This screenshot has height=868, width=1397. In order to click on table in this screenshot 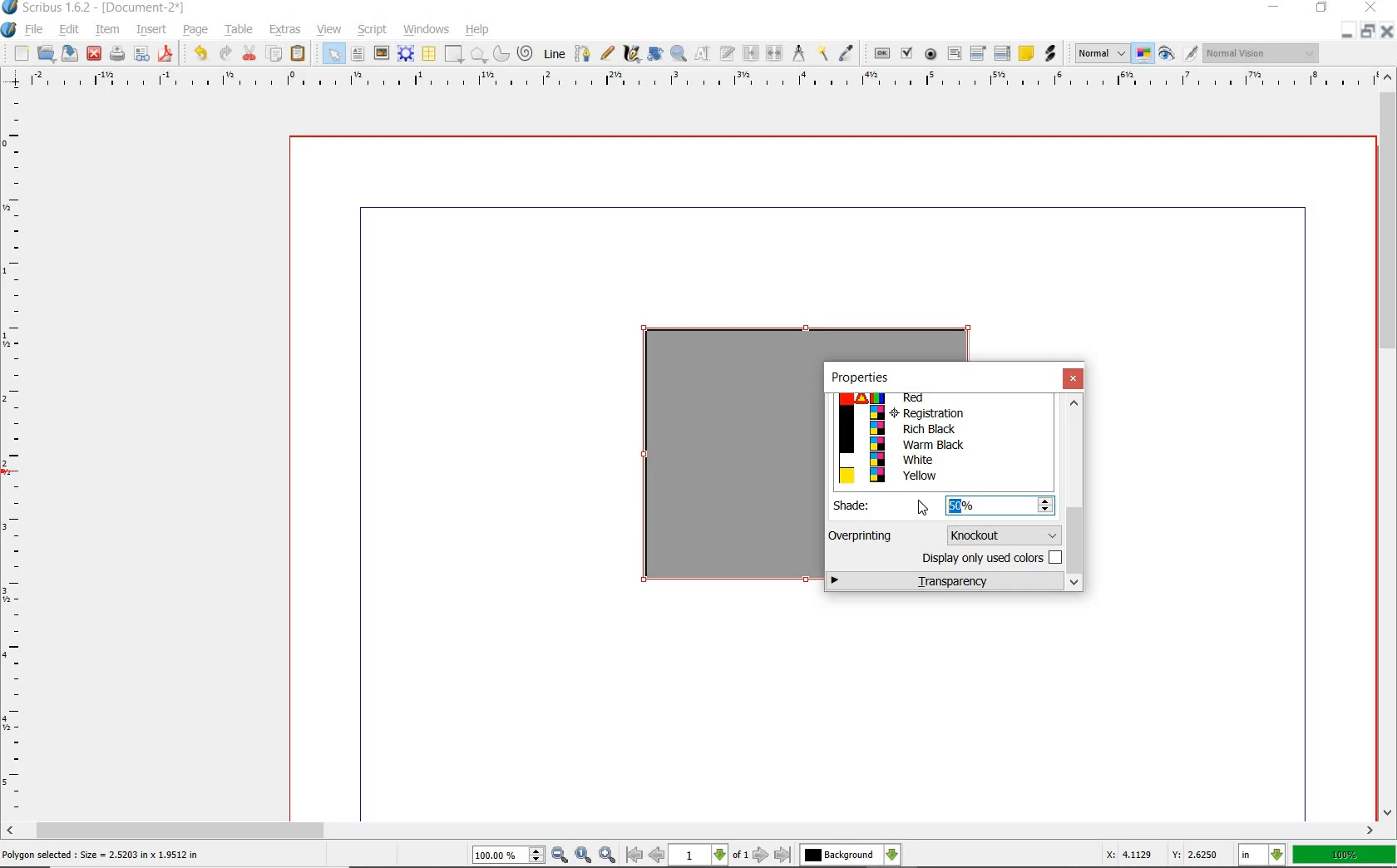, I will do `click(239, 31)`.